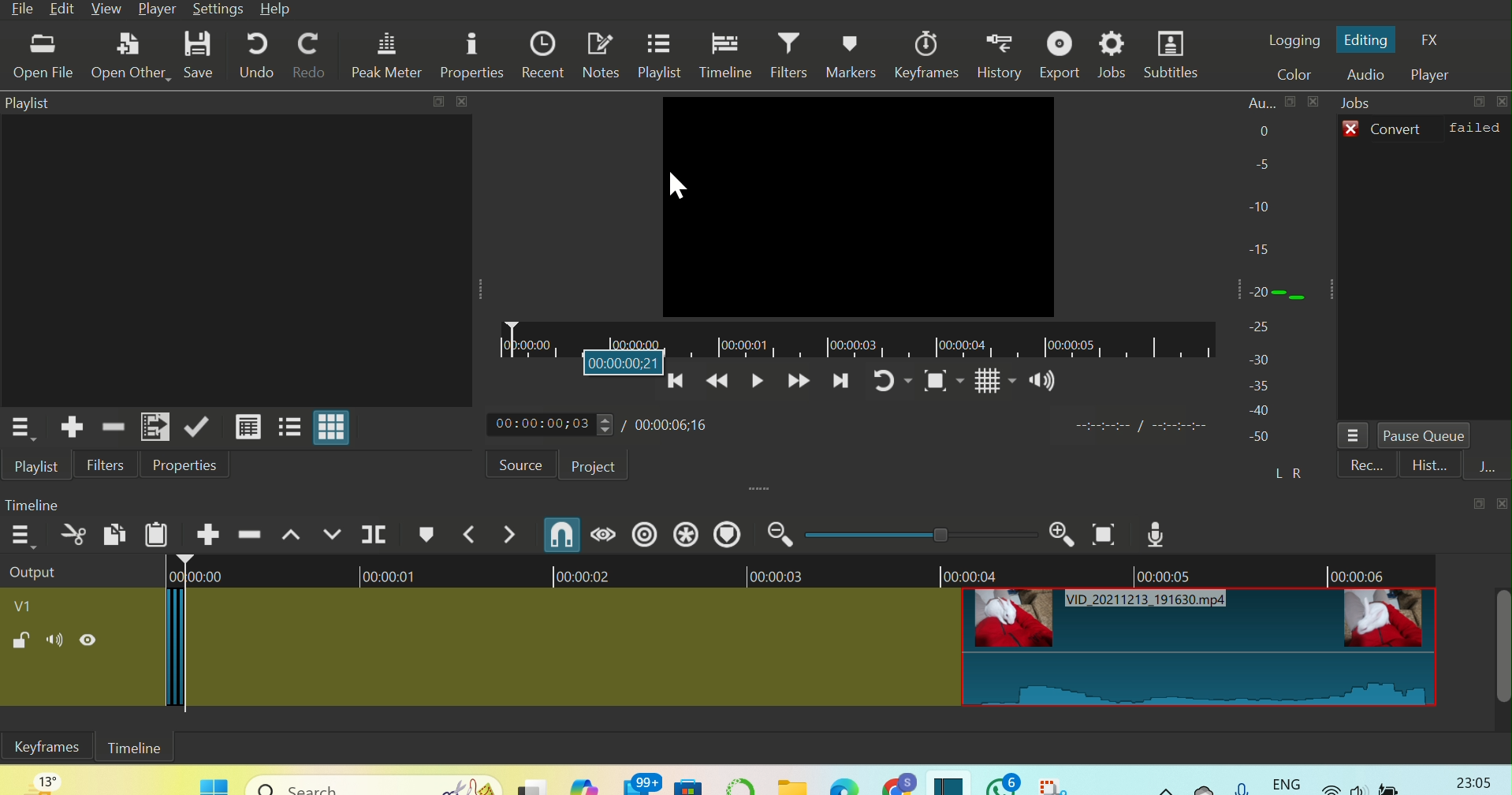 The width and height of the screenshot is (1512, 795). Describe the element at coordinates (1114, 54) in the screenshot. I see `Jobs` at that location.